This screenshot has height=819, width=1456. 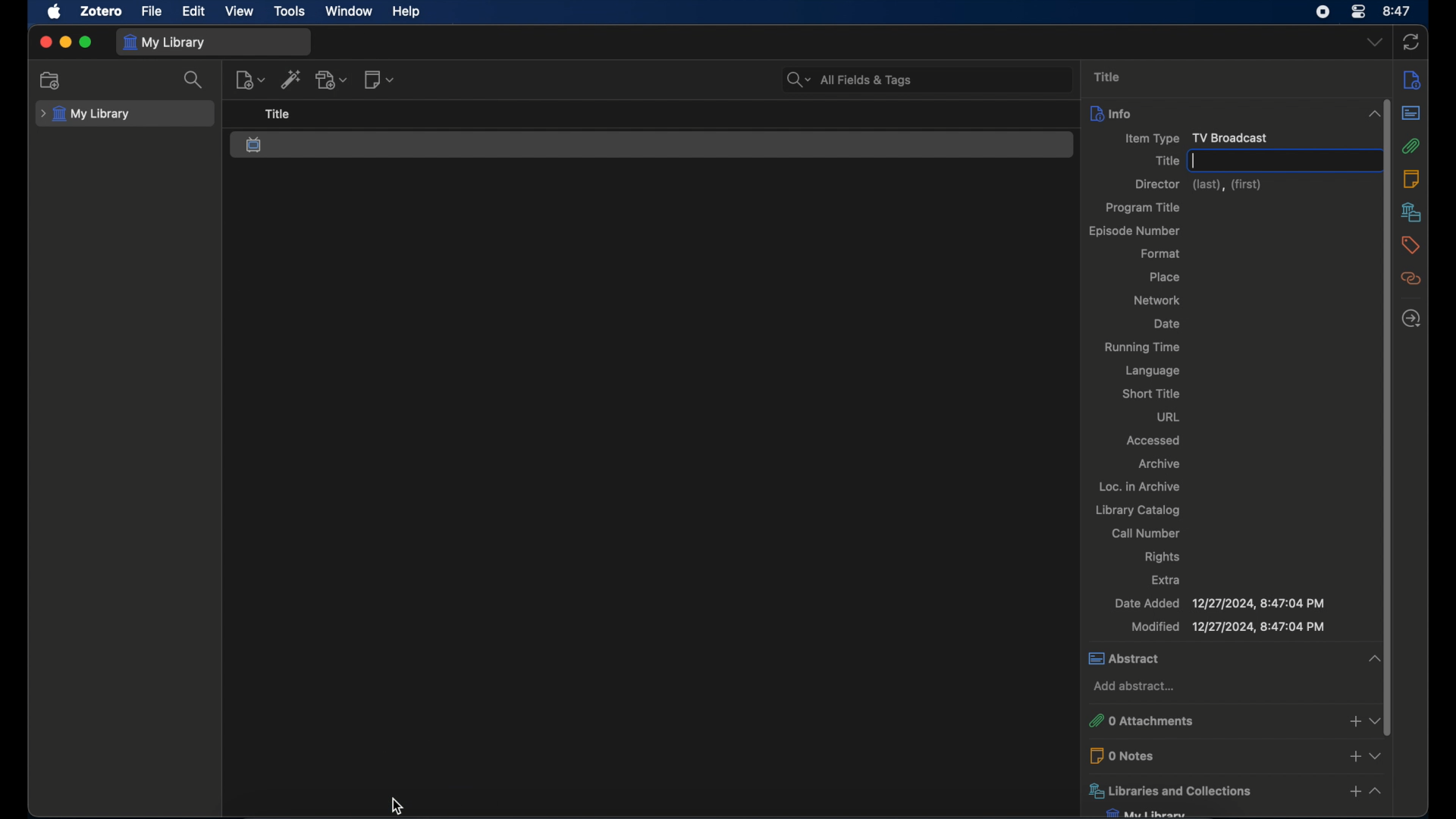 I want to click on sync, so click(x=1410, y=43).